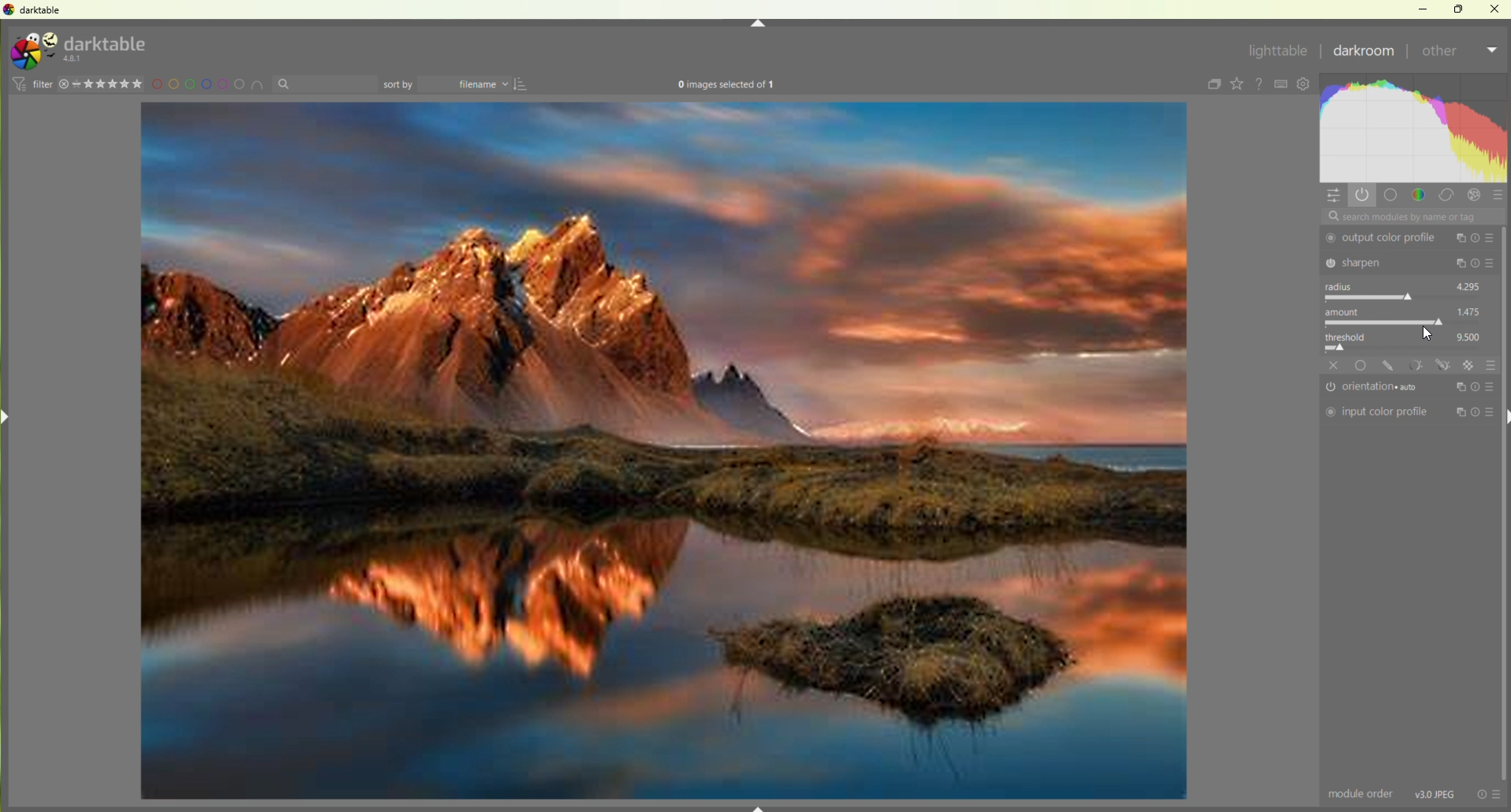  I want to click on input slider, so click(1405, 322).